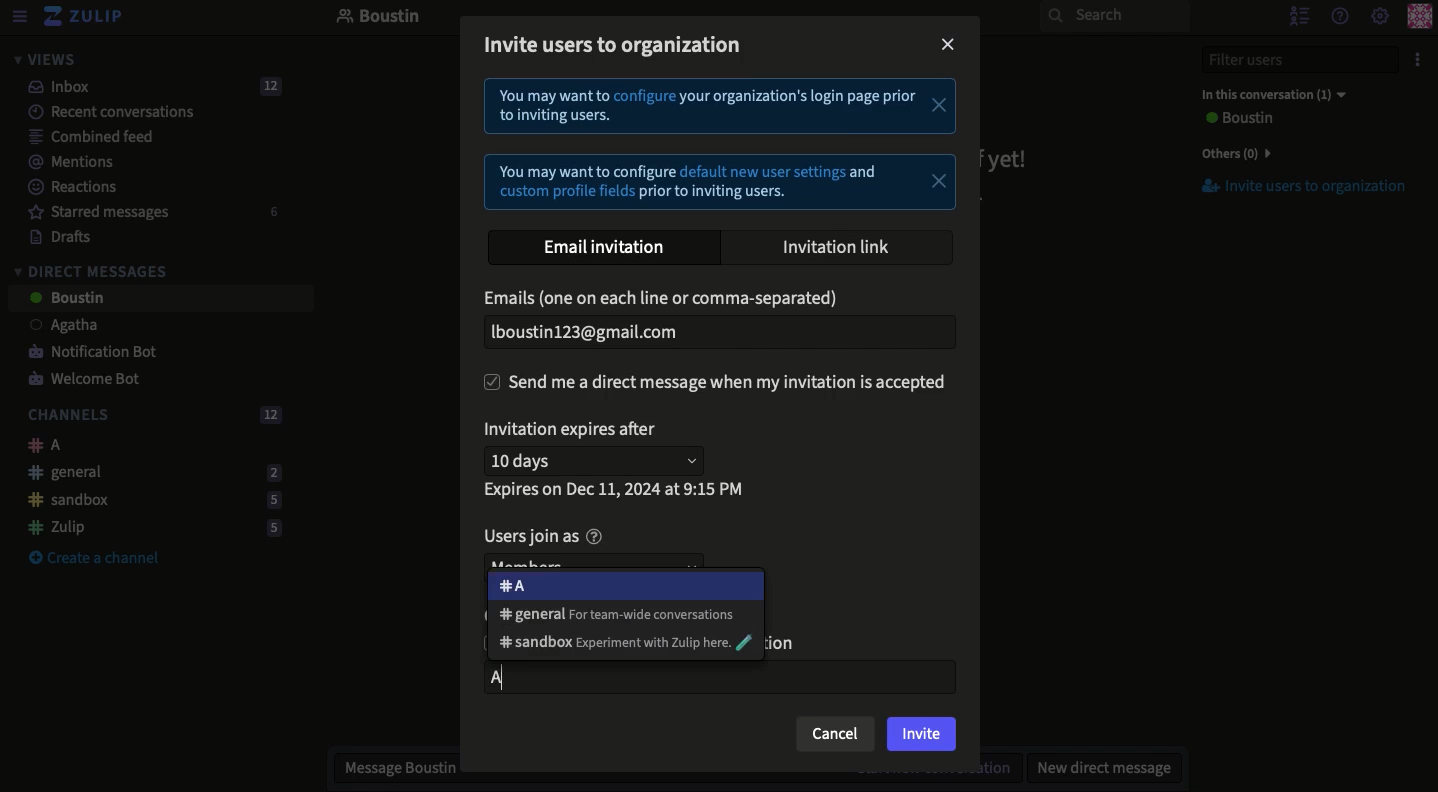 This screenshot has width=1438, height=792. What do you see at coordinates (1232, 153) in the screenshot?
I see `Others` at bounding box center [1232, 153].